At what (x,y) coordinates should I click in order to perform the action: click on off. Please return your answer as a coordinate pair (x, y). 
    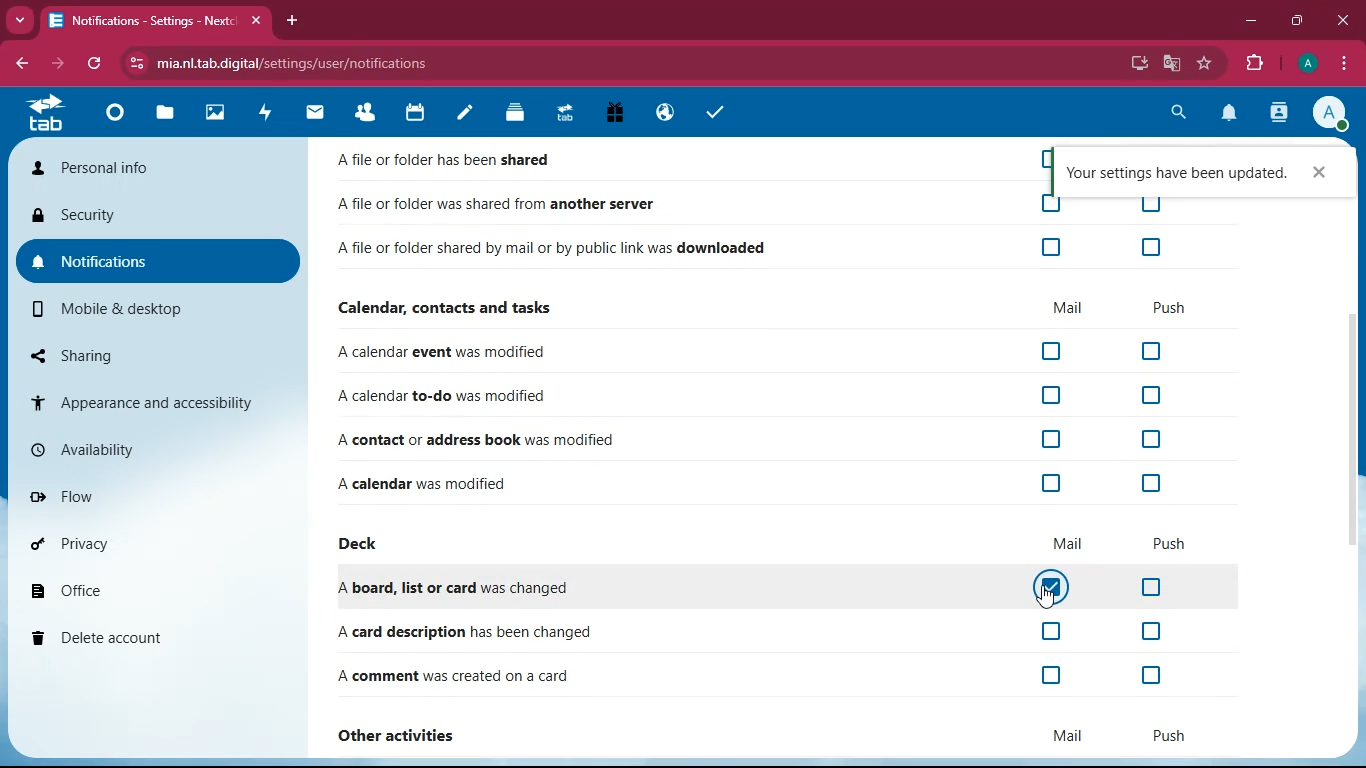
    Looking at the image, I should click on (1051, 674).